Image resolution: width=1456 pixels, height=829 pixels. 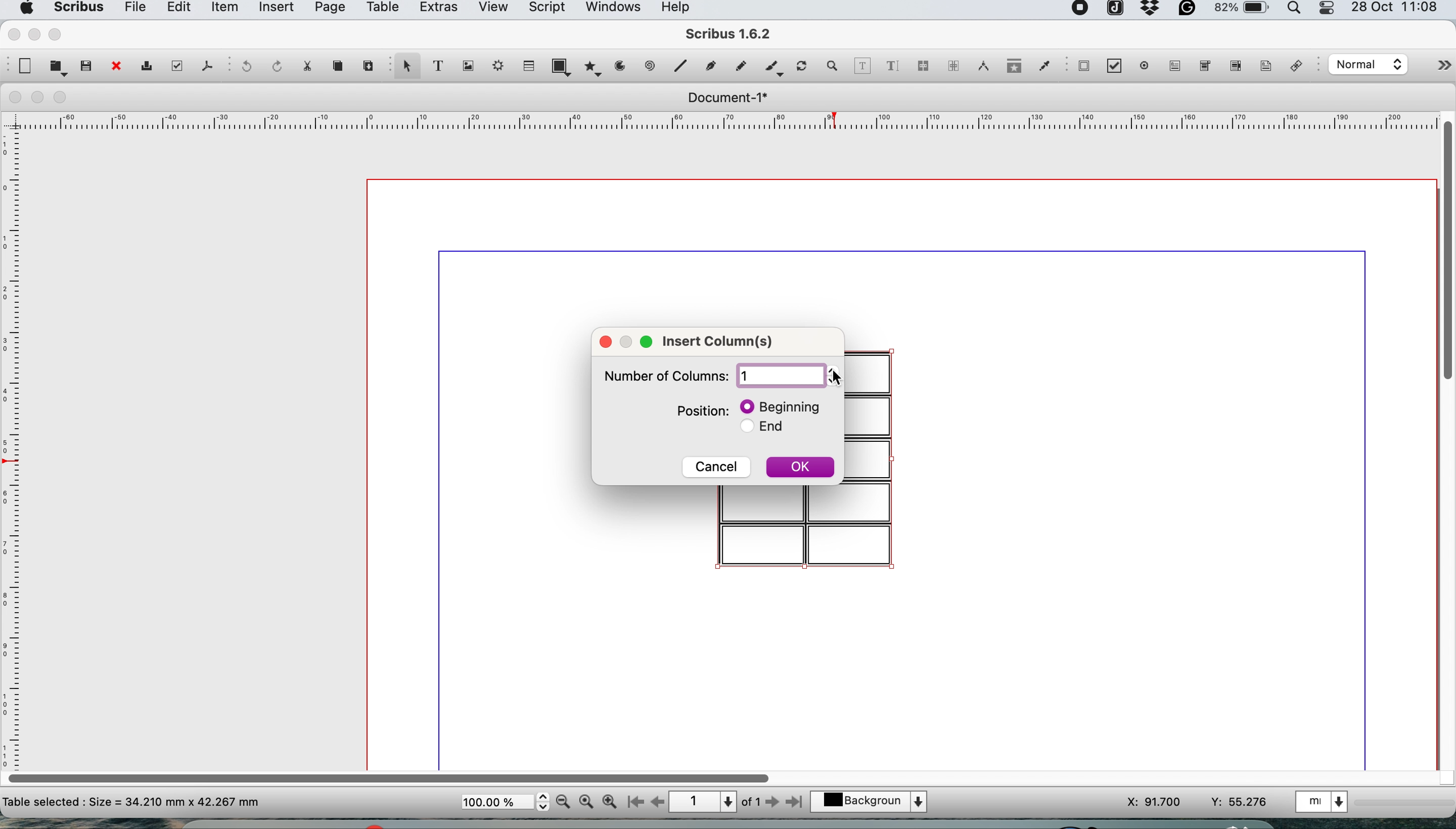 What do you see at coordinates (714, 802) in the screenshot?
I see `page 1 of 1` at bounding box center [714, 802].